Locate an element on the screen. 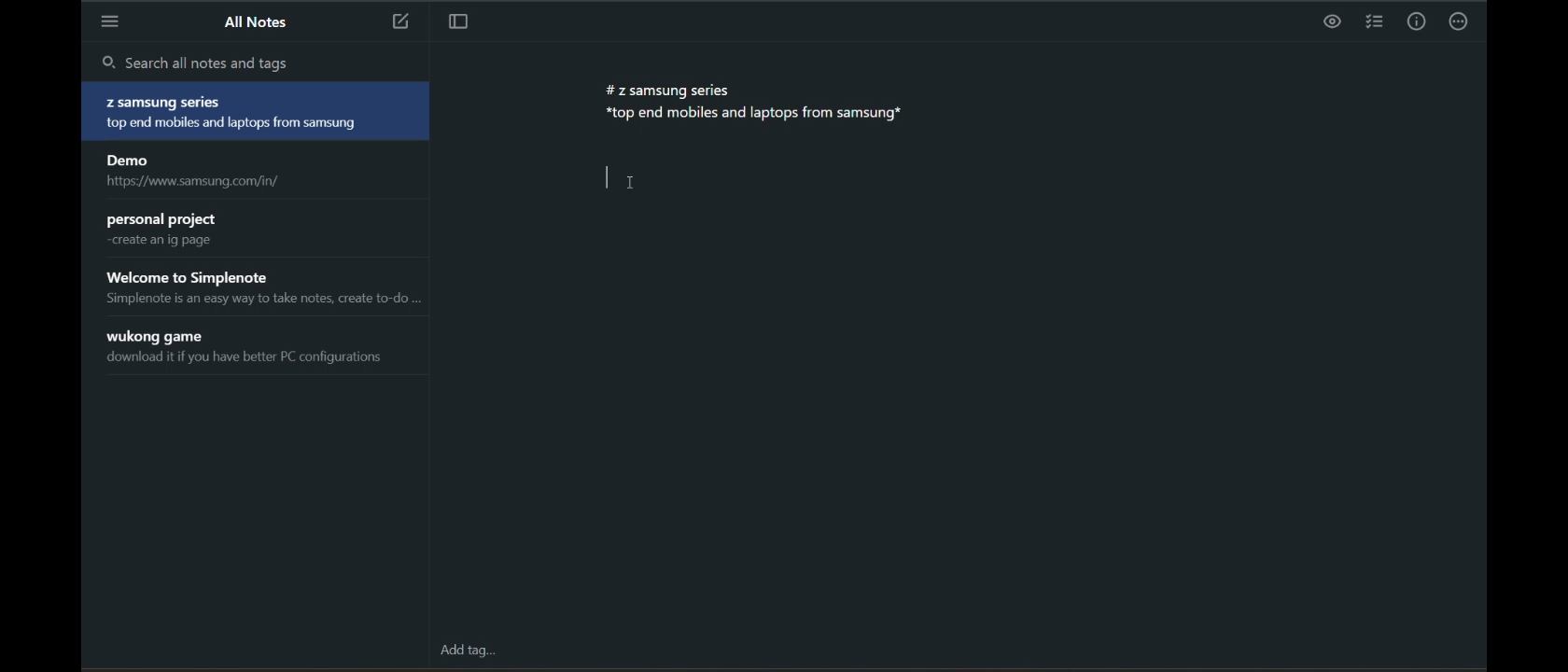  wukong game
download it if you have better PC configurations is located at coordinates (261, 348).